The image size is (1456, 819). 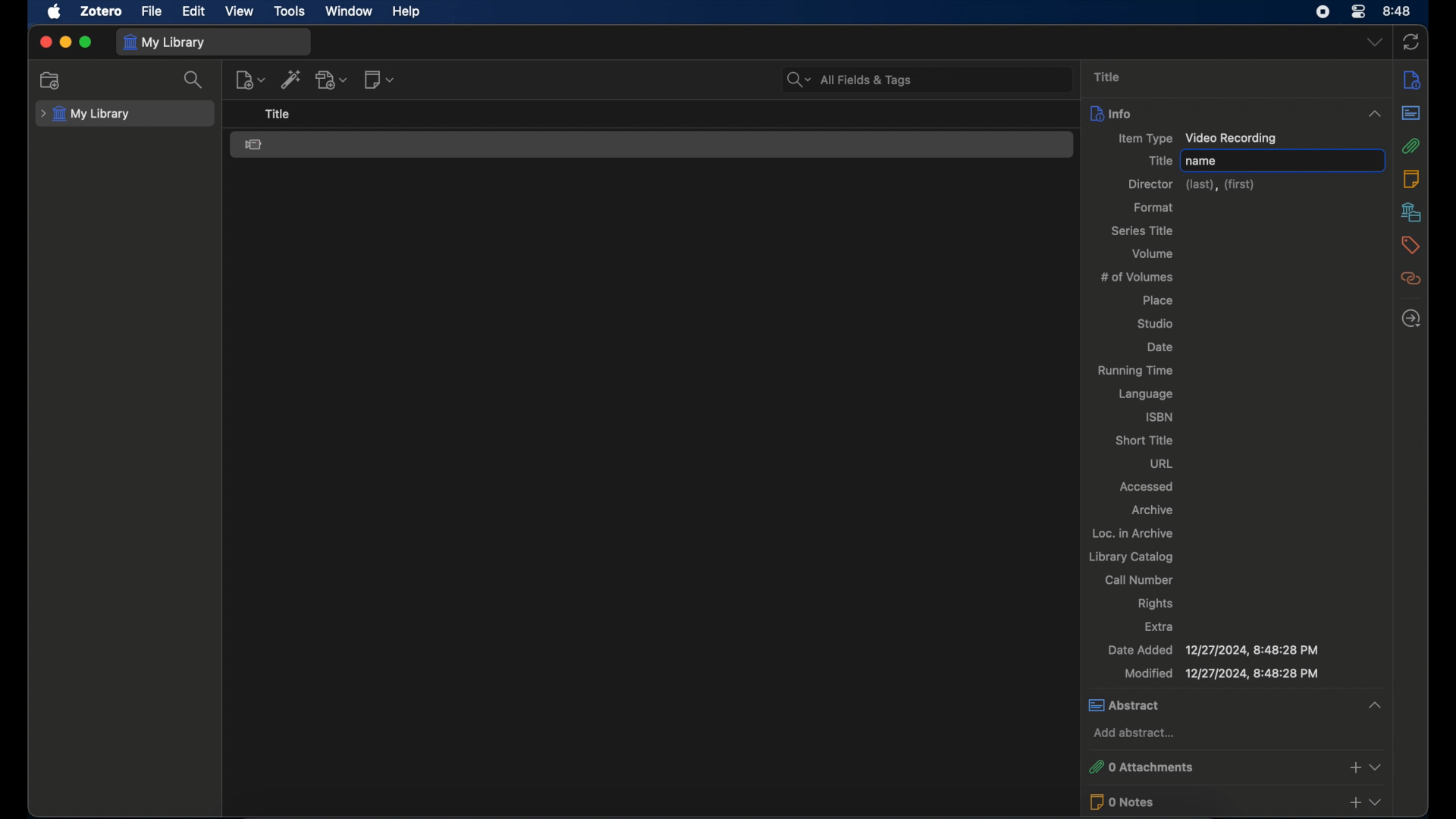 What do you see at coordinates (943, 81) in the screenshot?
I see `search bar input` at bounding box center [943, 81].